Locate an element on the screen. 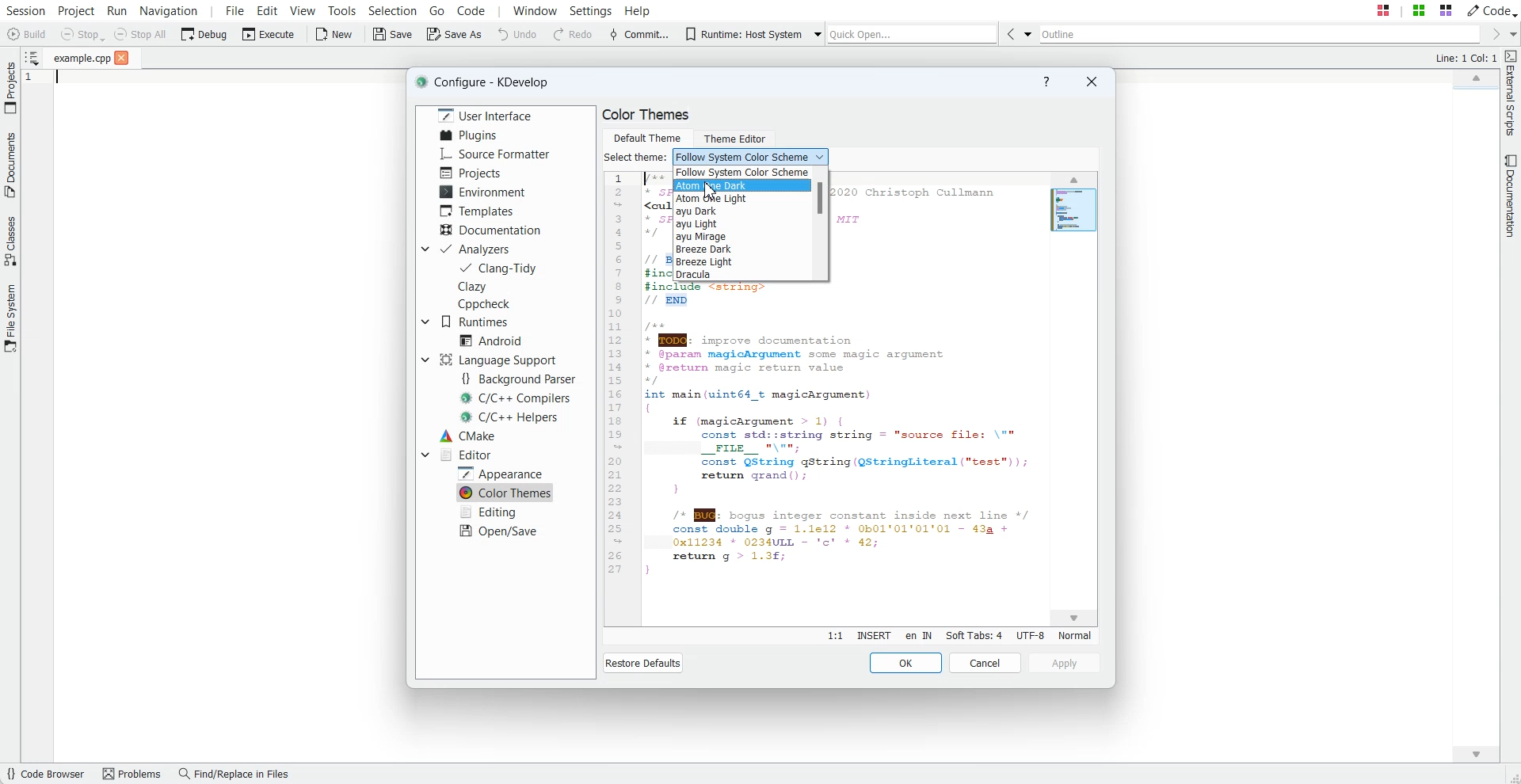 The image size is (1521, 784). Open/Save is located at coordinates (499, 531).